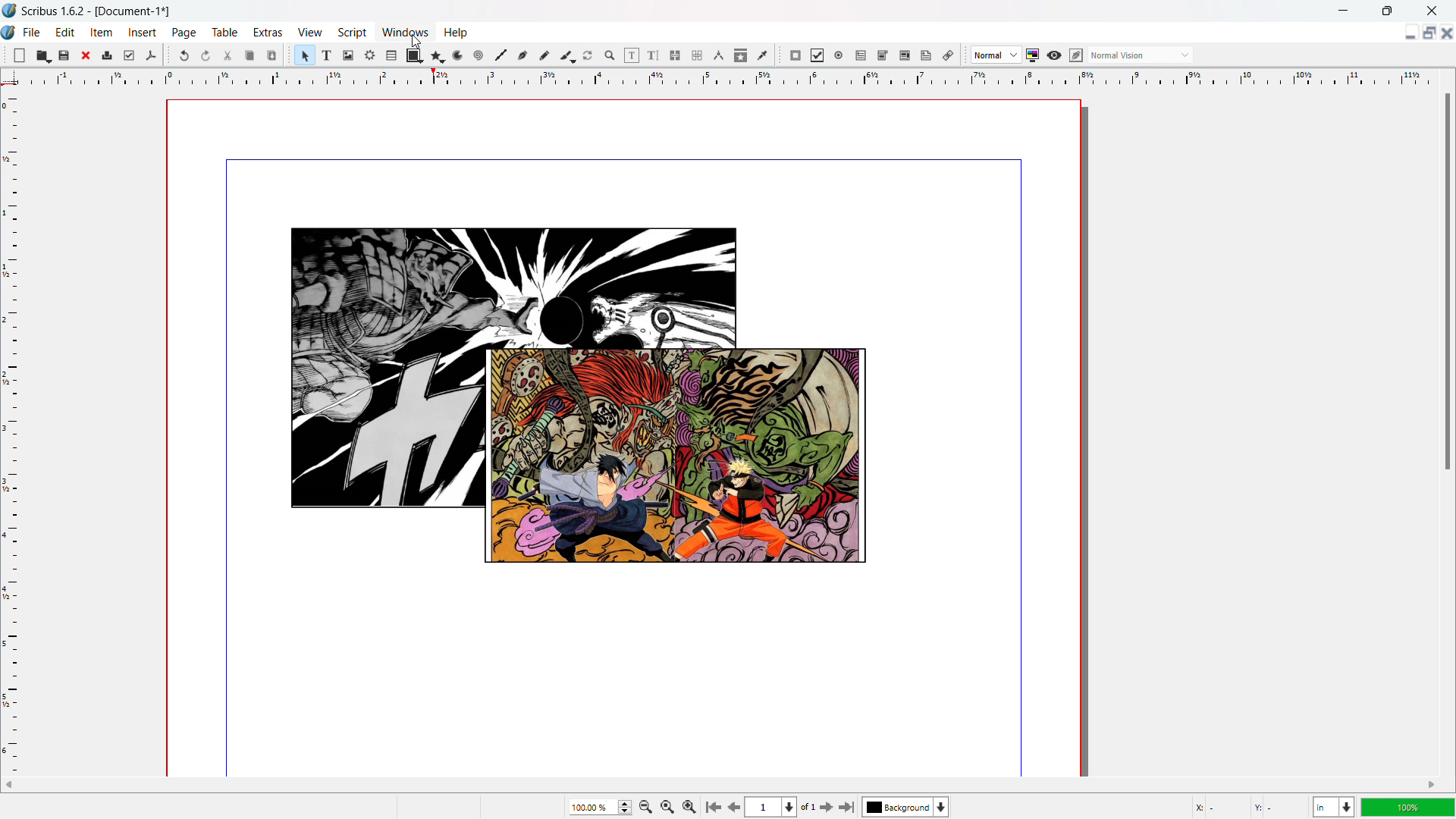 Image resolution: width=1456 pixels, height=819 pixels. Describe the element at coordinates (438, 55) in the screenshot. I see `polygon` at that location.